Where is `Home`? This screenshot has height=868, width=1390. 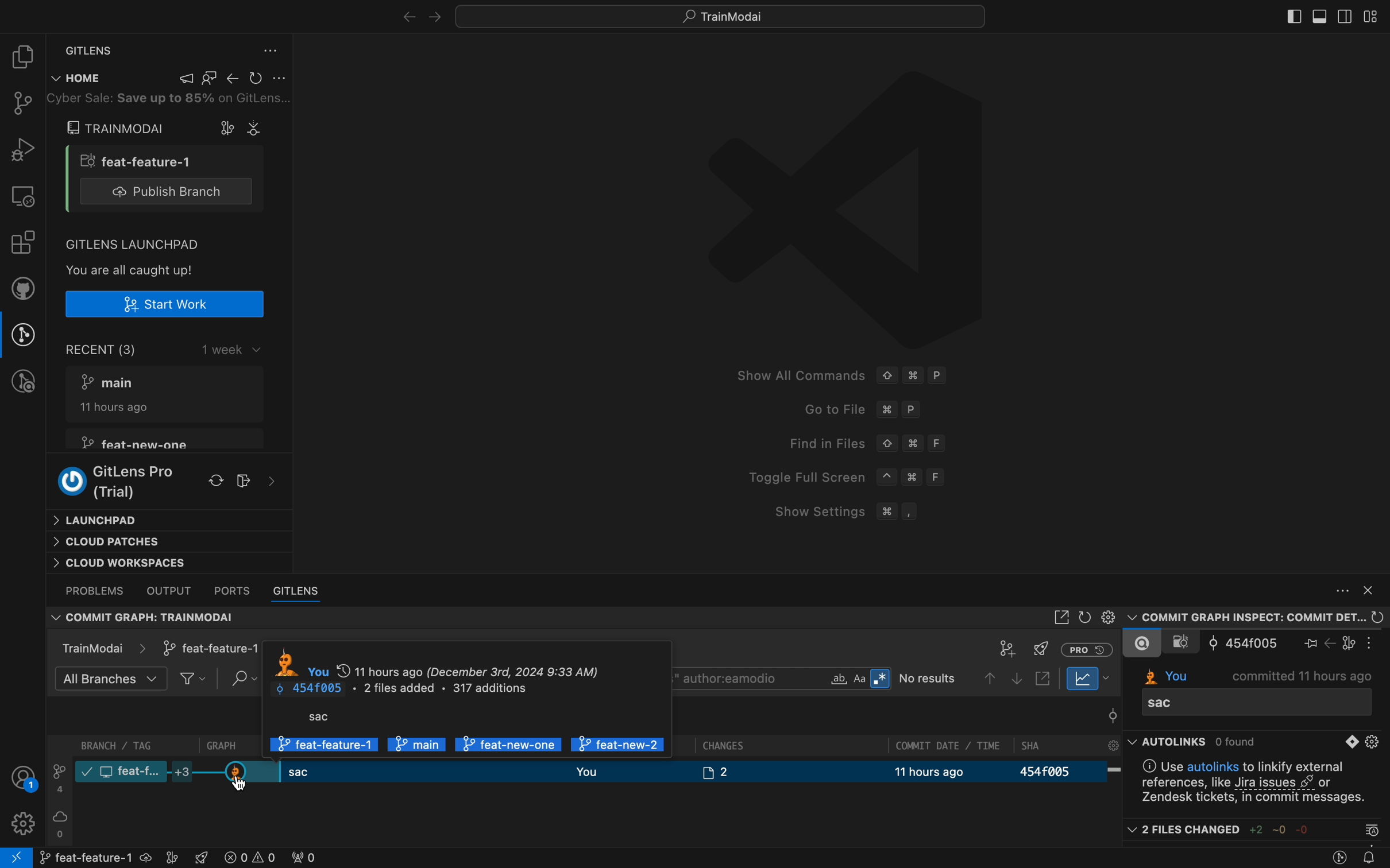
Home is located at coordinates (77, 79).